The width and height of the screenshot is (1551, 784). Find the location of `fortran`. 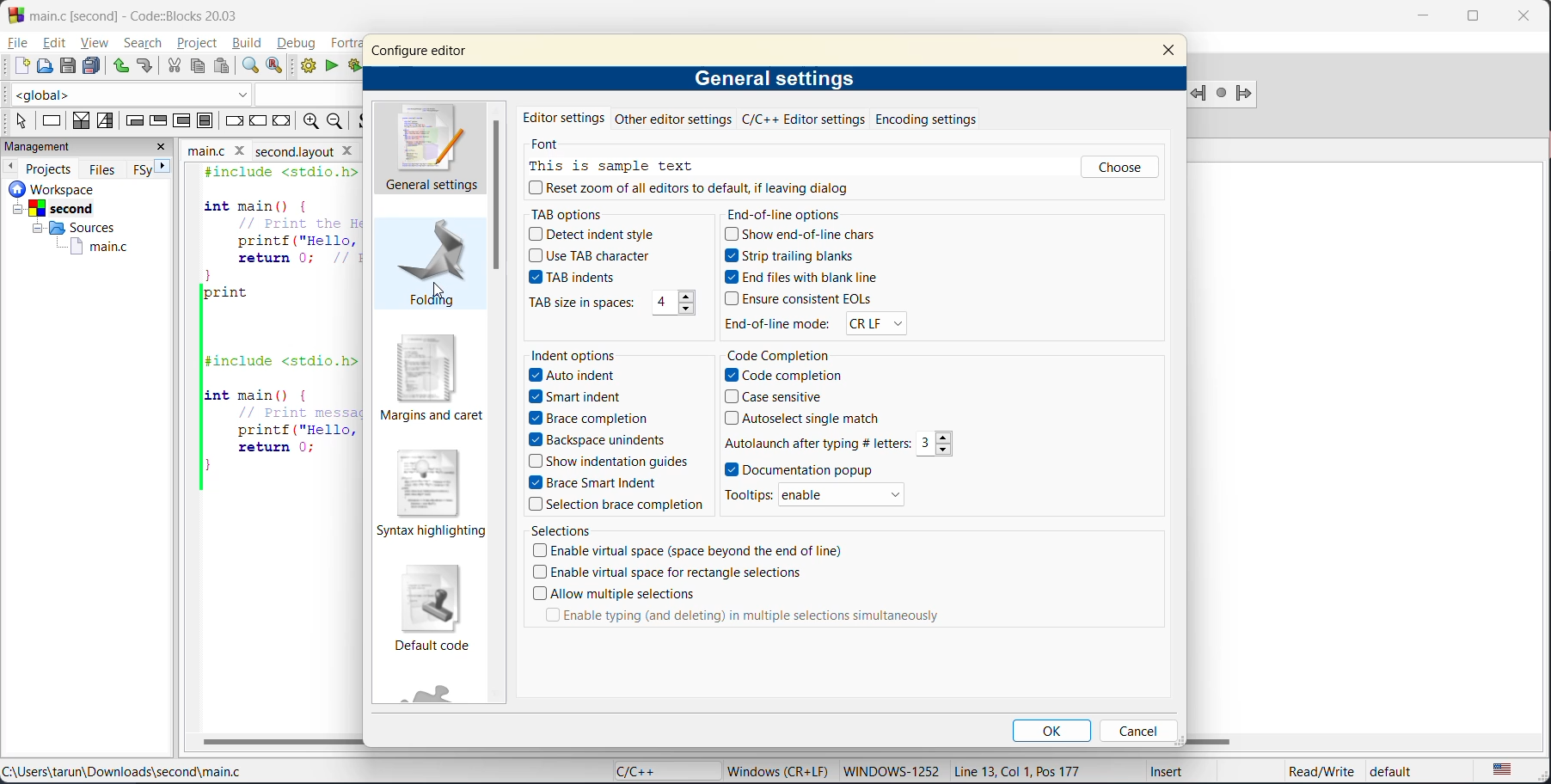

fortran is located at coordinates (346, 45).